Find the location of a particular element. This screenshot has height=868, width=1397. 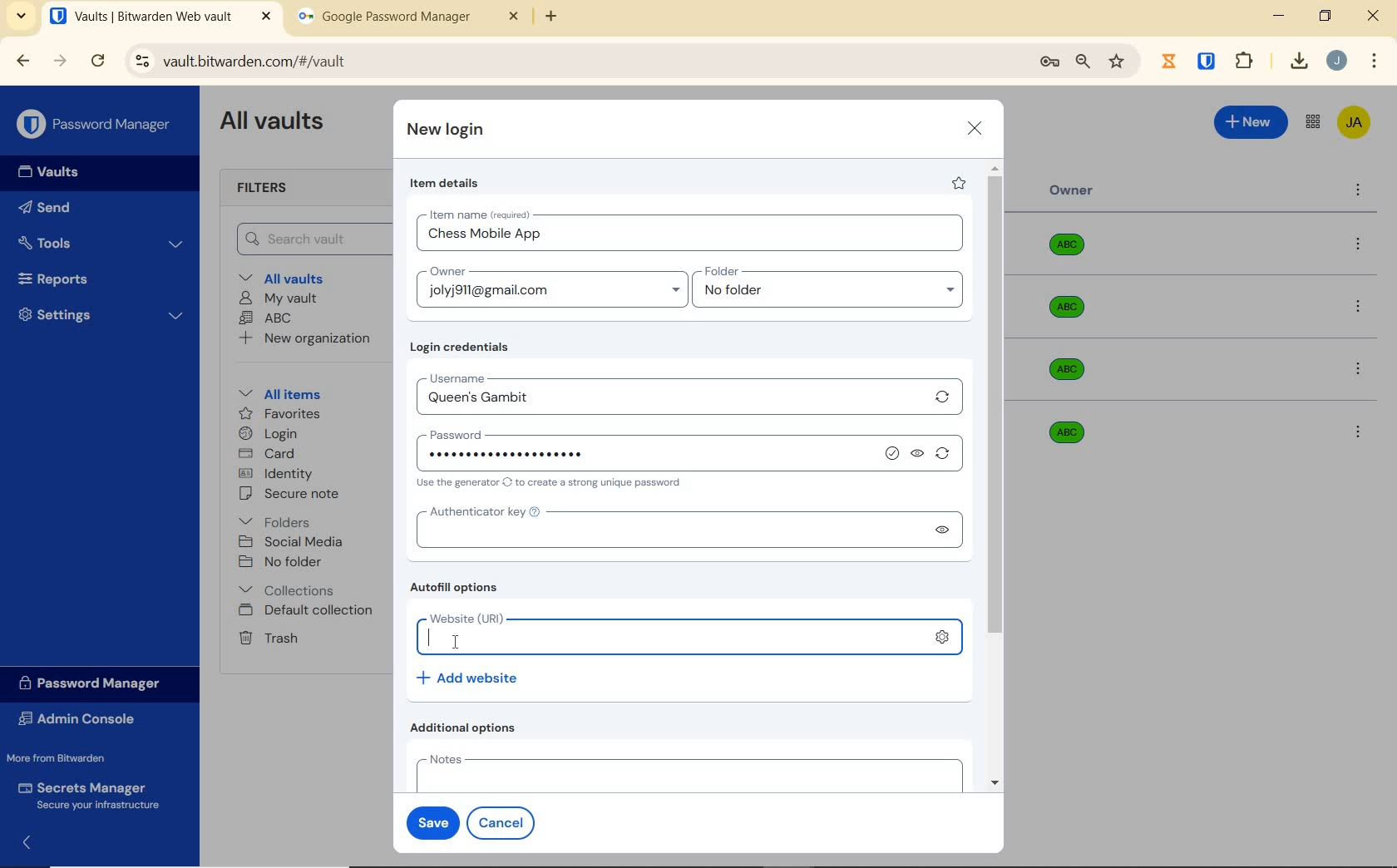

Settings is located at coordinates (101, 313).